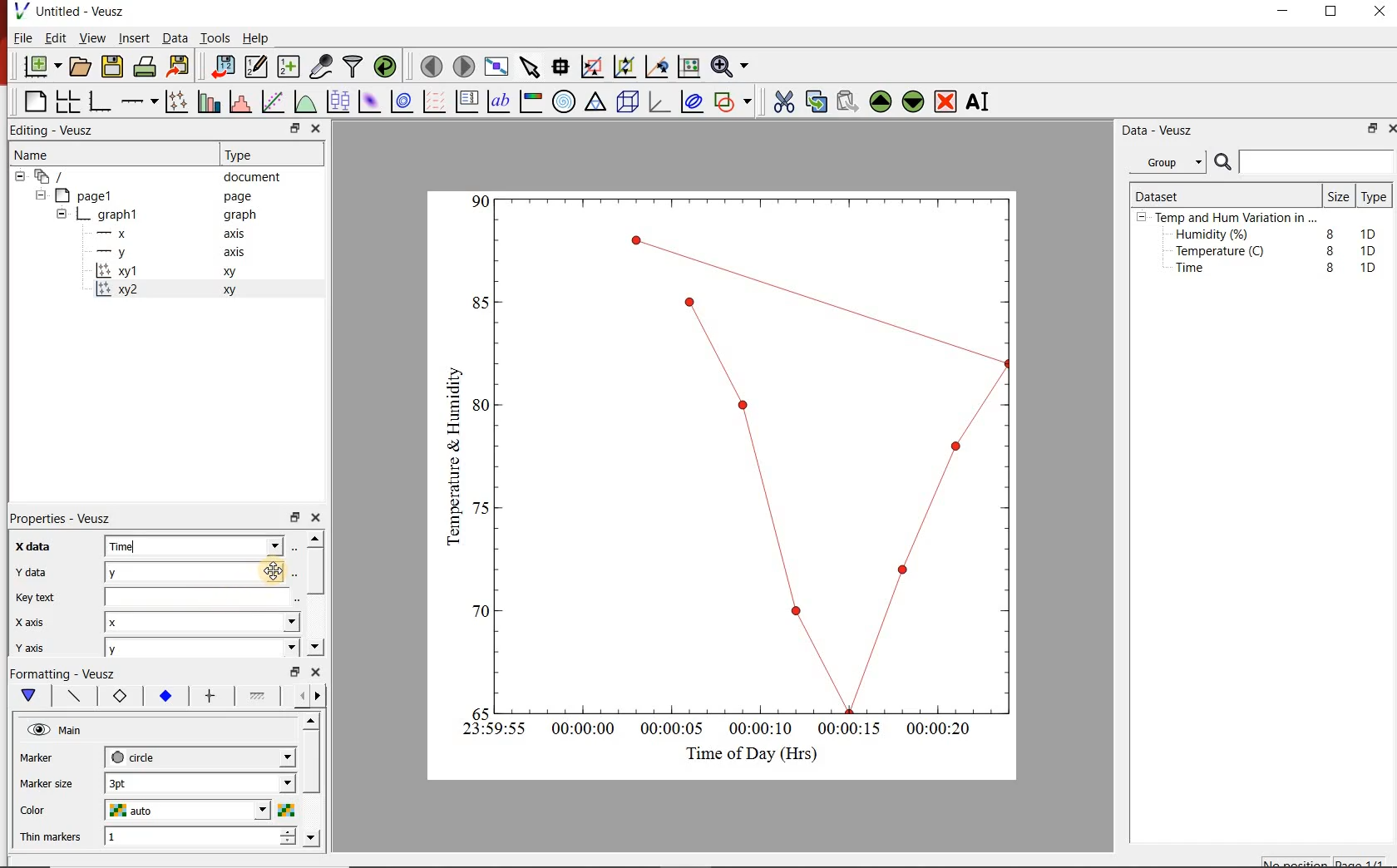  What do you see at coordinates (126, 252) in the screenshot?
I see `y` at bounding box center [126, 252].